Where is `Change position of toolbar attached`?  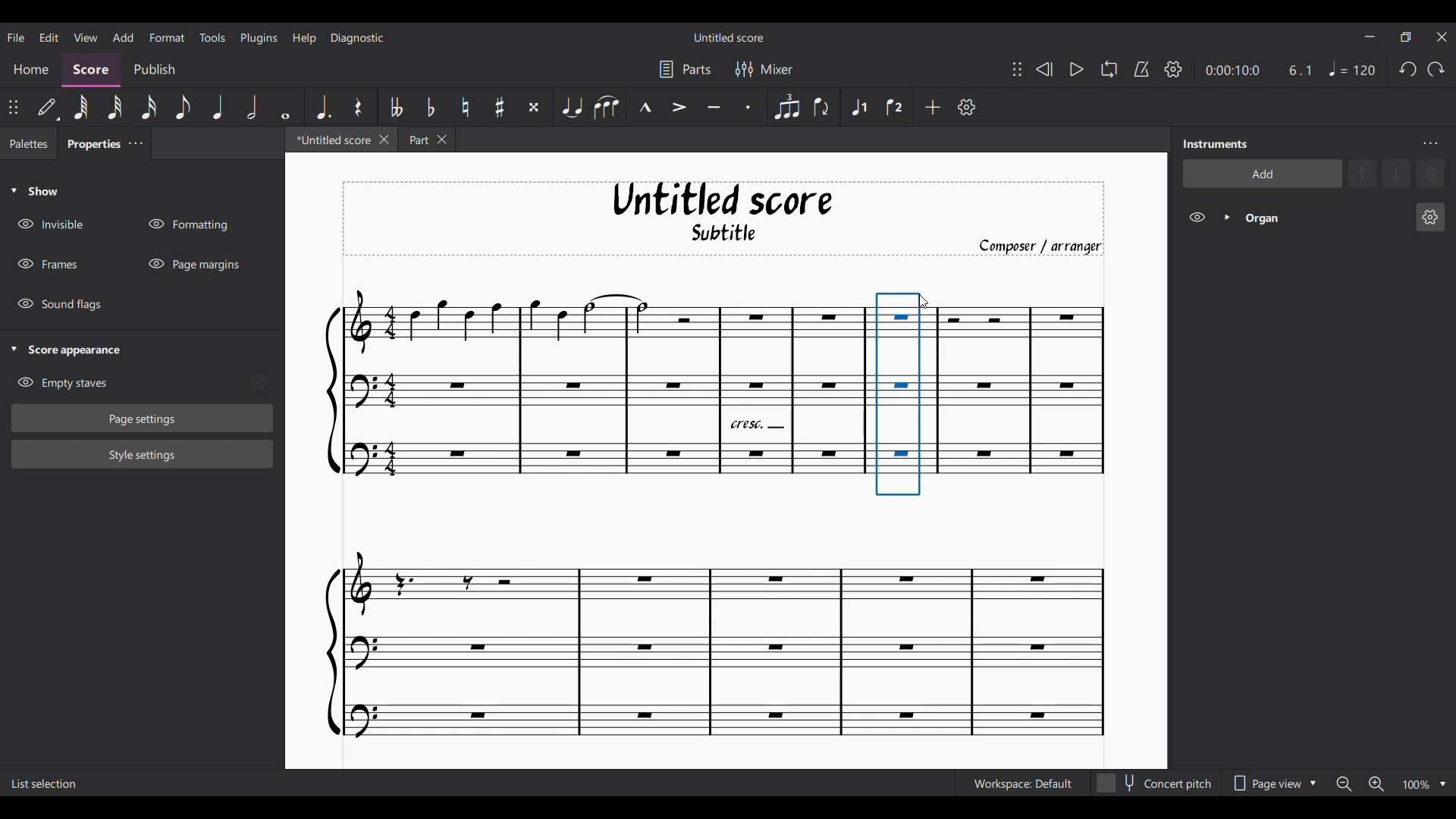
Change position of toolbar attached is located at coordinates (12, 107).